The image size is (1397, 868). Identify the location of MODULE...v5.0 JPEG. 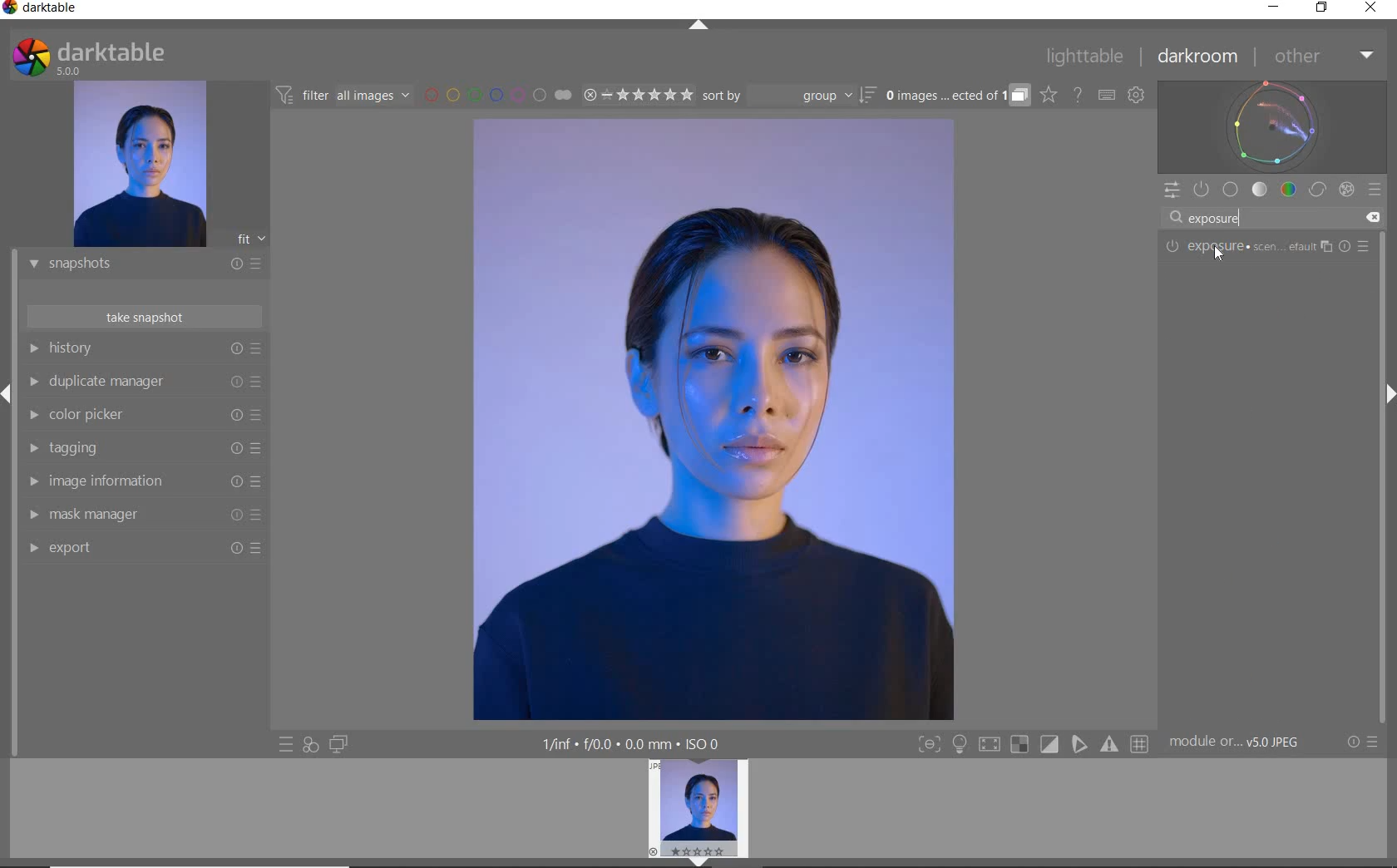
(1246, 742).